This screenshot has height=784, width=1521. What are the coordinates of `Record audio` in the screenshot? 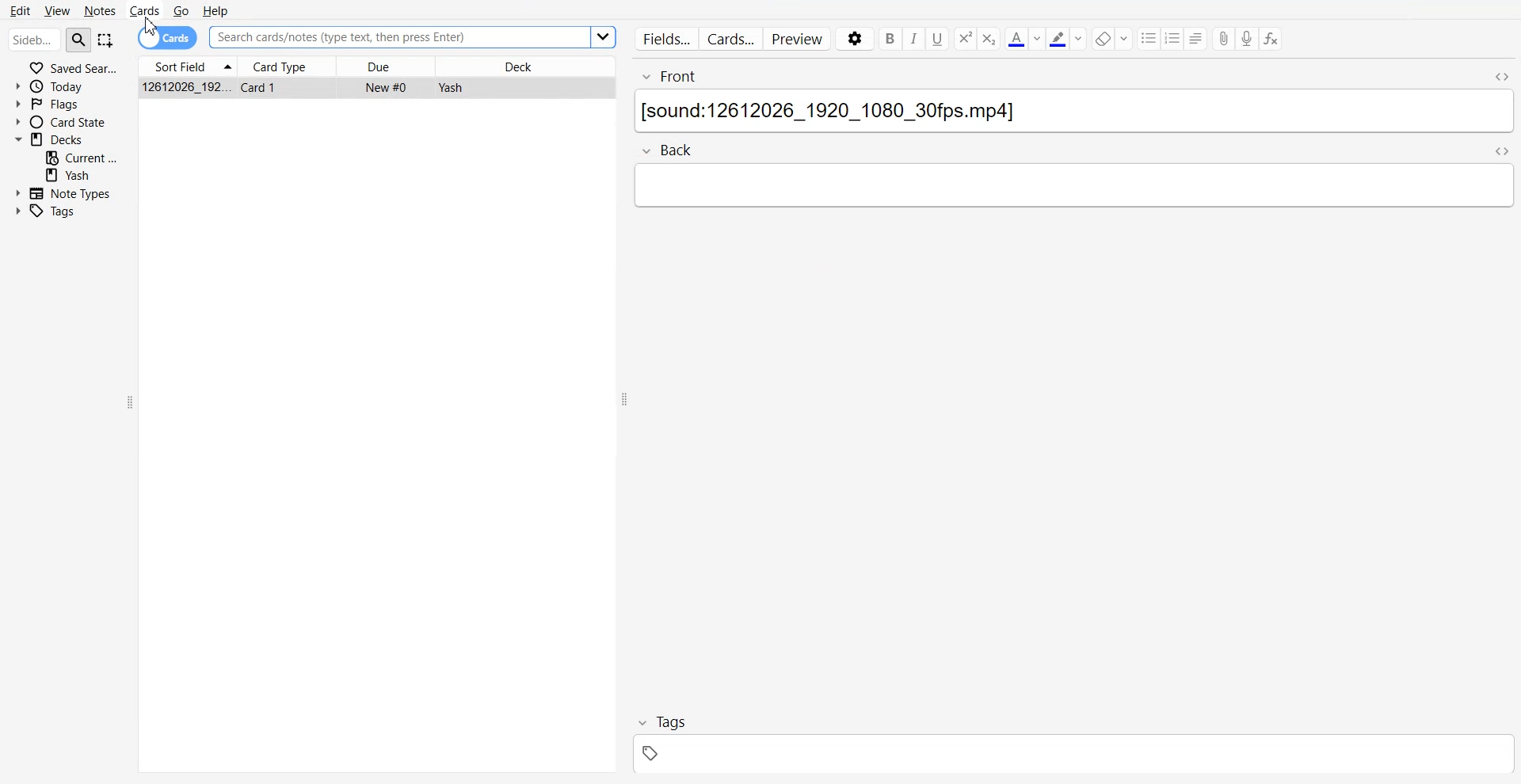 It's located at (1248, 39).